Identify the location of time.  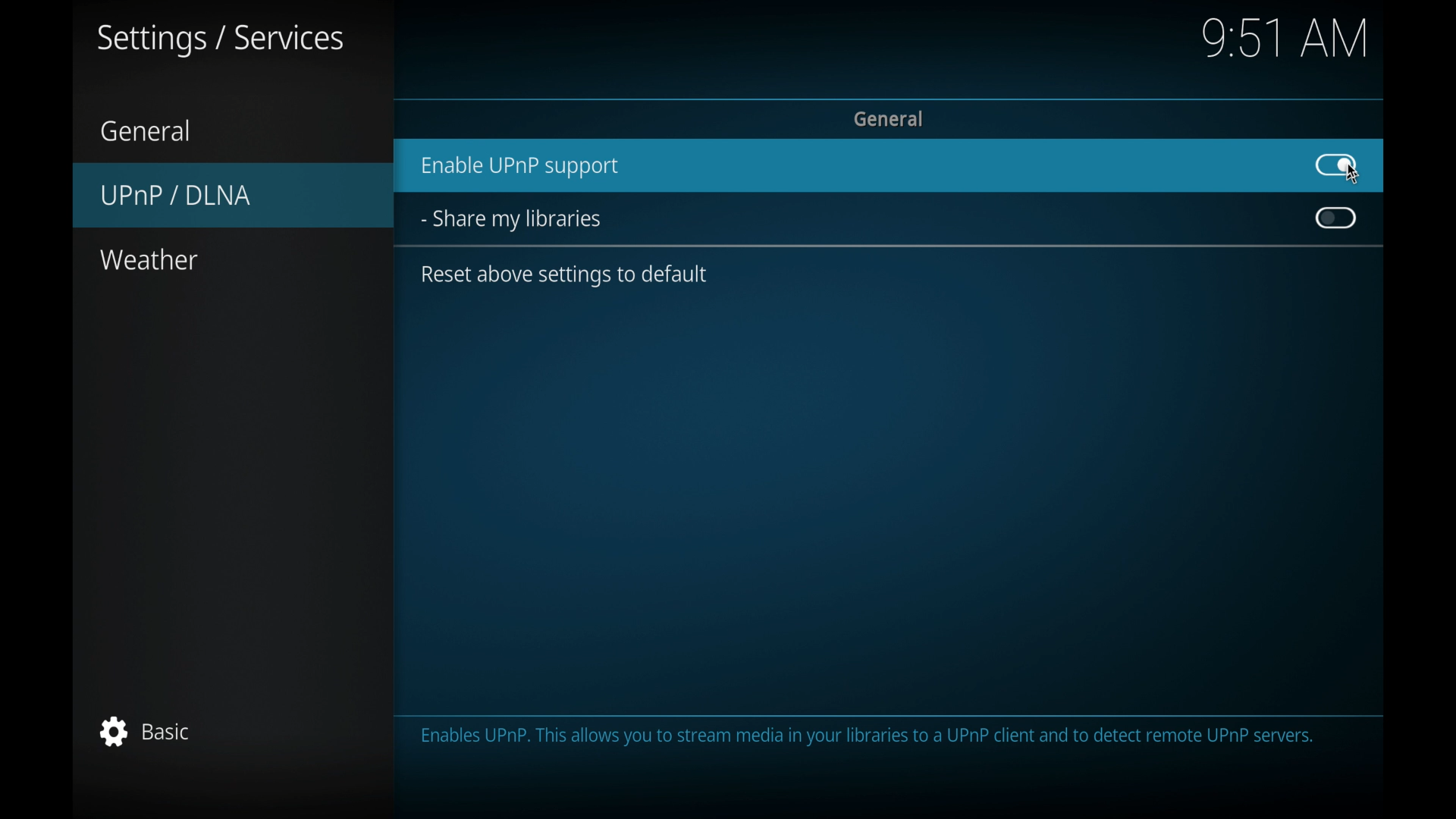
(1285, 39).